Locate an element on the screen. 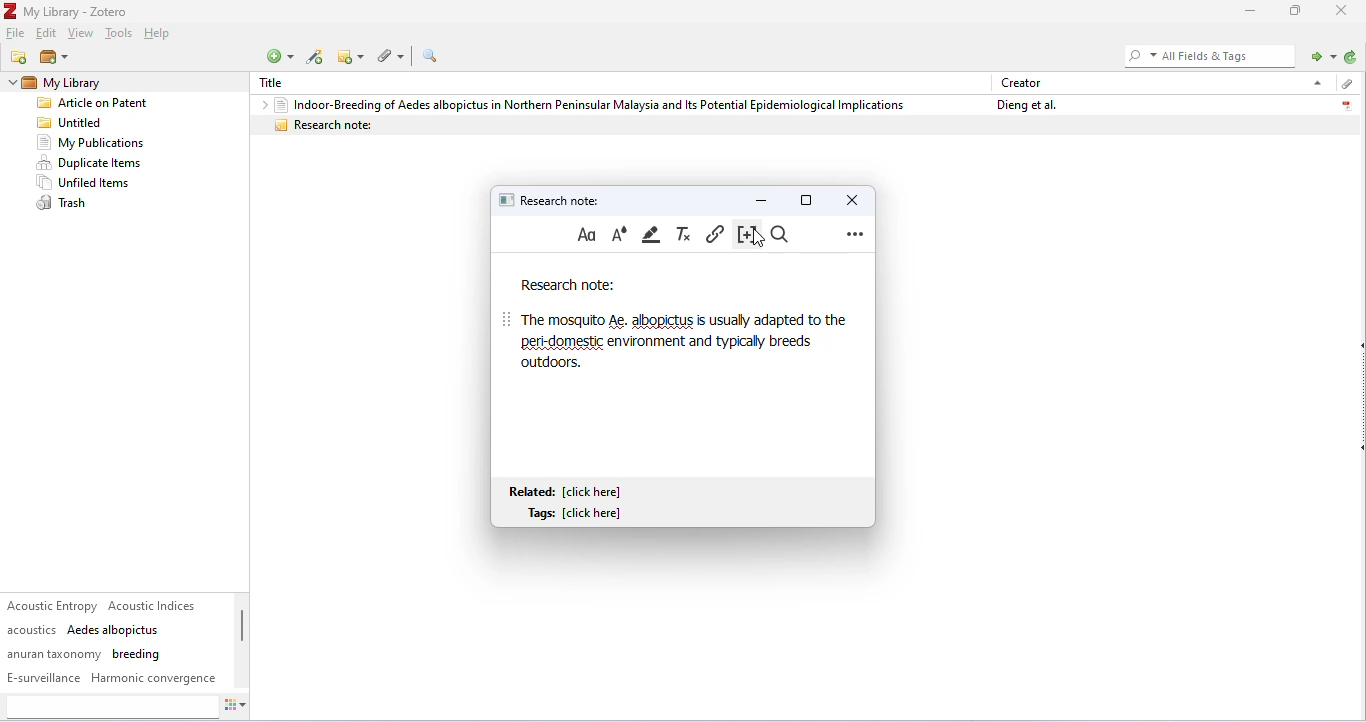 The width and height of the screenshot is (1366, 722). maximize is located at coordinates (1296, 10).